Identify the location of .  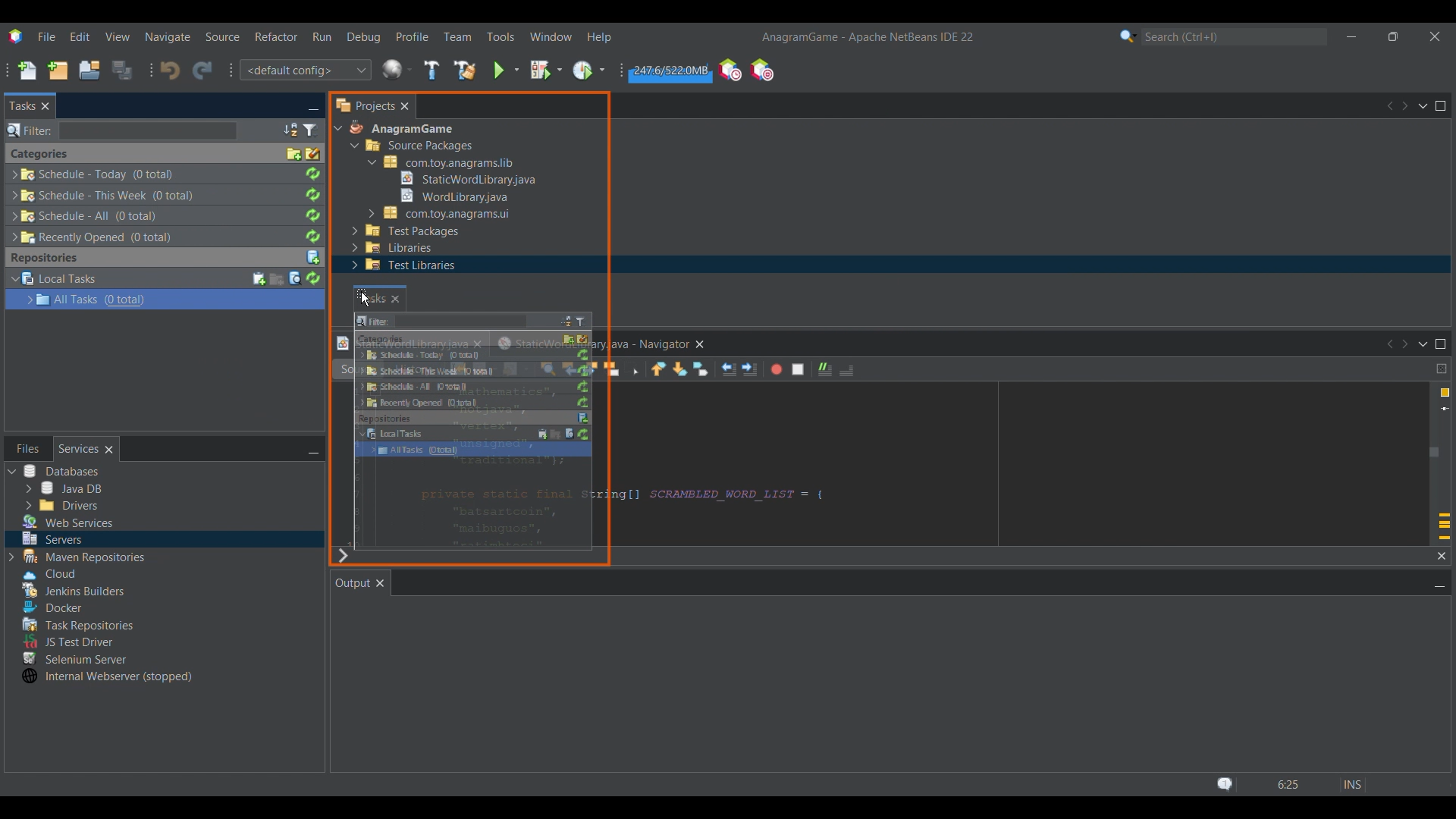
(469, 414).